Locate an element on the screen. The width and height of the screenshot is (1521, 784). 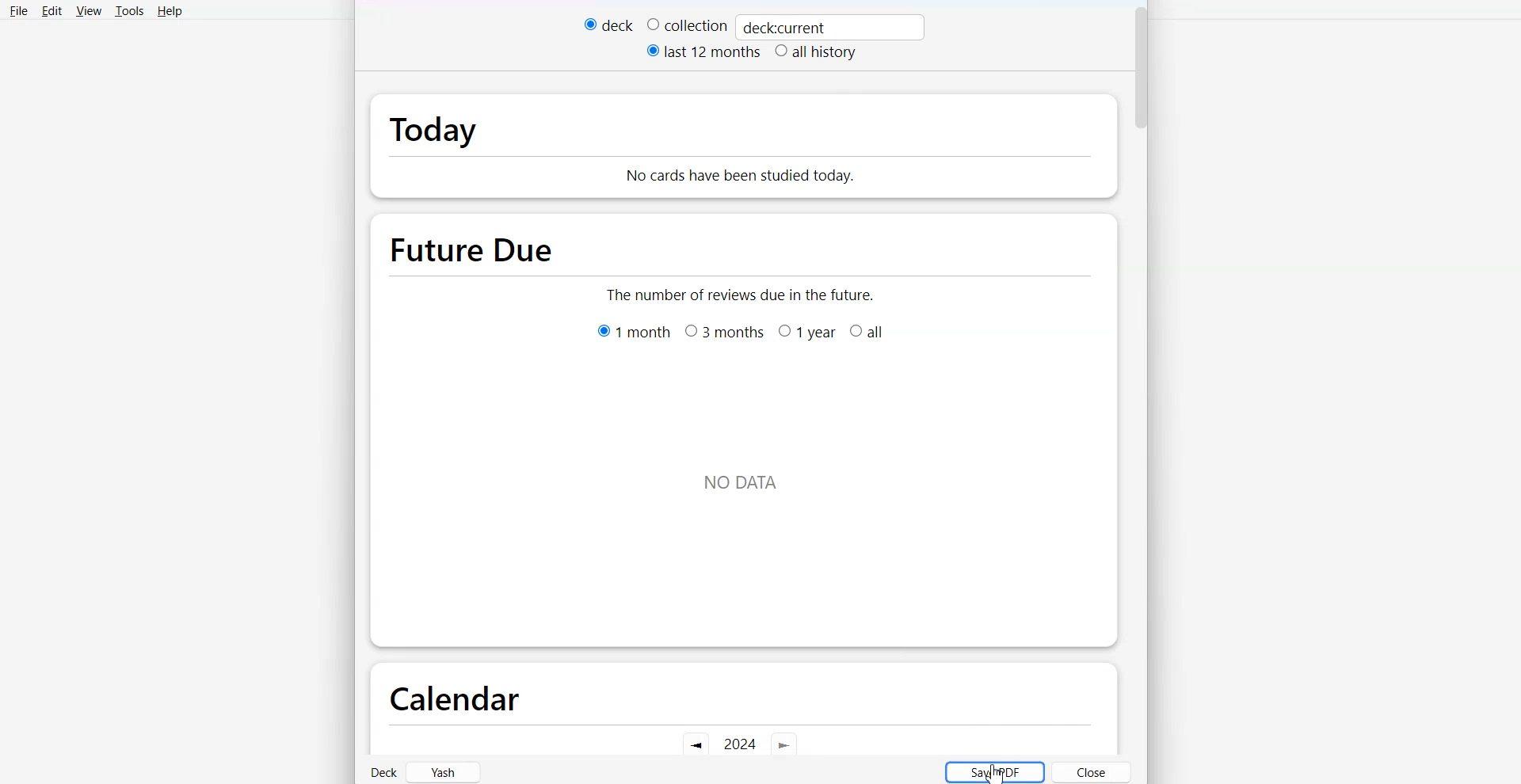
The number of reviews due in the future. is located at coordinates (742, 293).